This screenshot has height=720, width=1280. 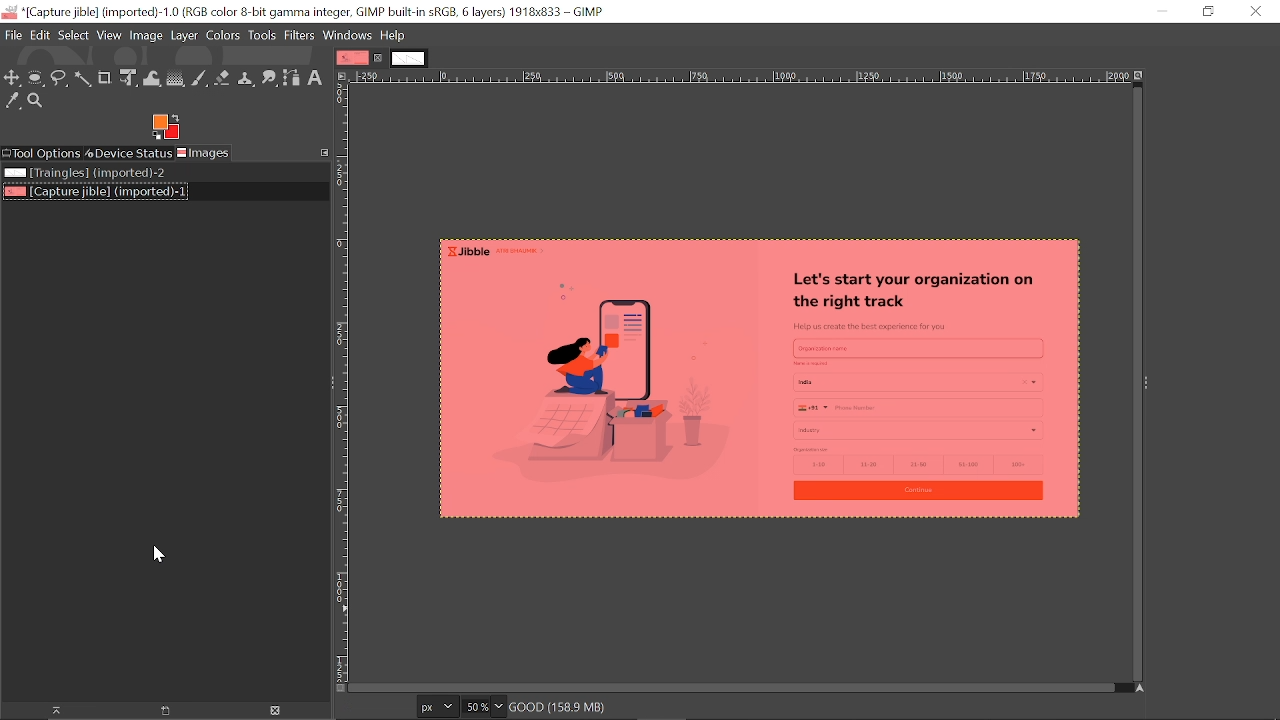 What do you see at coordinates (84, 174) in the screenshot?
I see `Image file titled "Triangles"` at bounding box center [84, 174].